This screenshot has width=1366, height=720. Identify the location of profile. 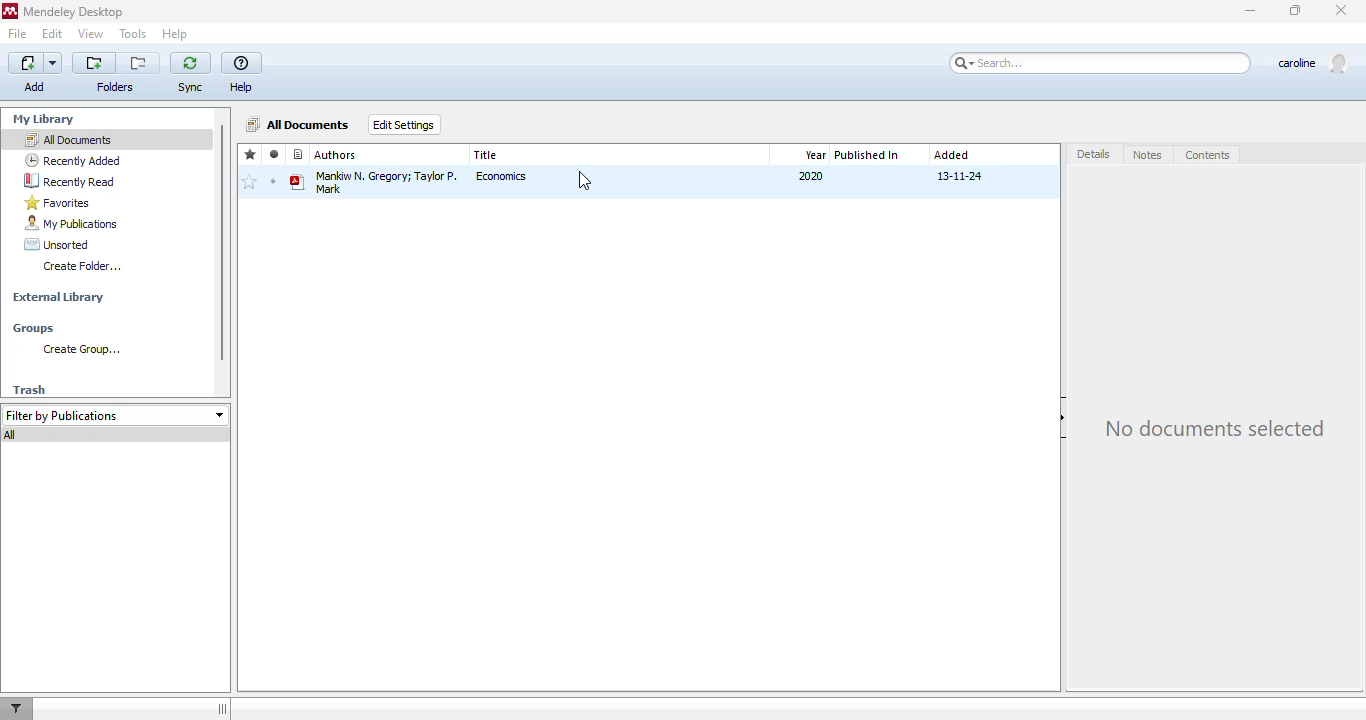
(1313, 63).